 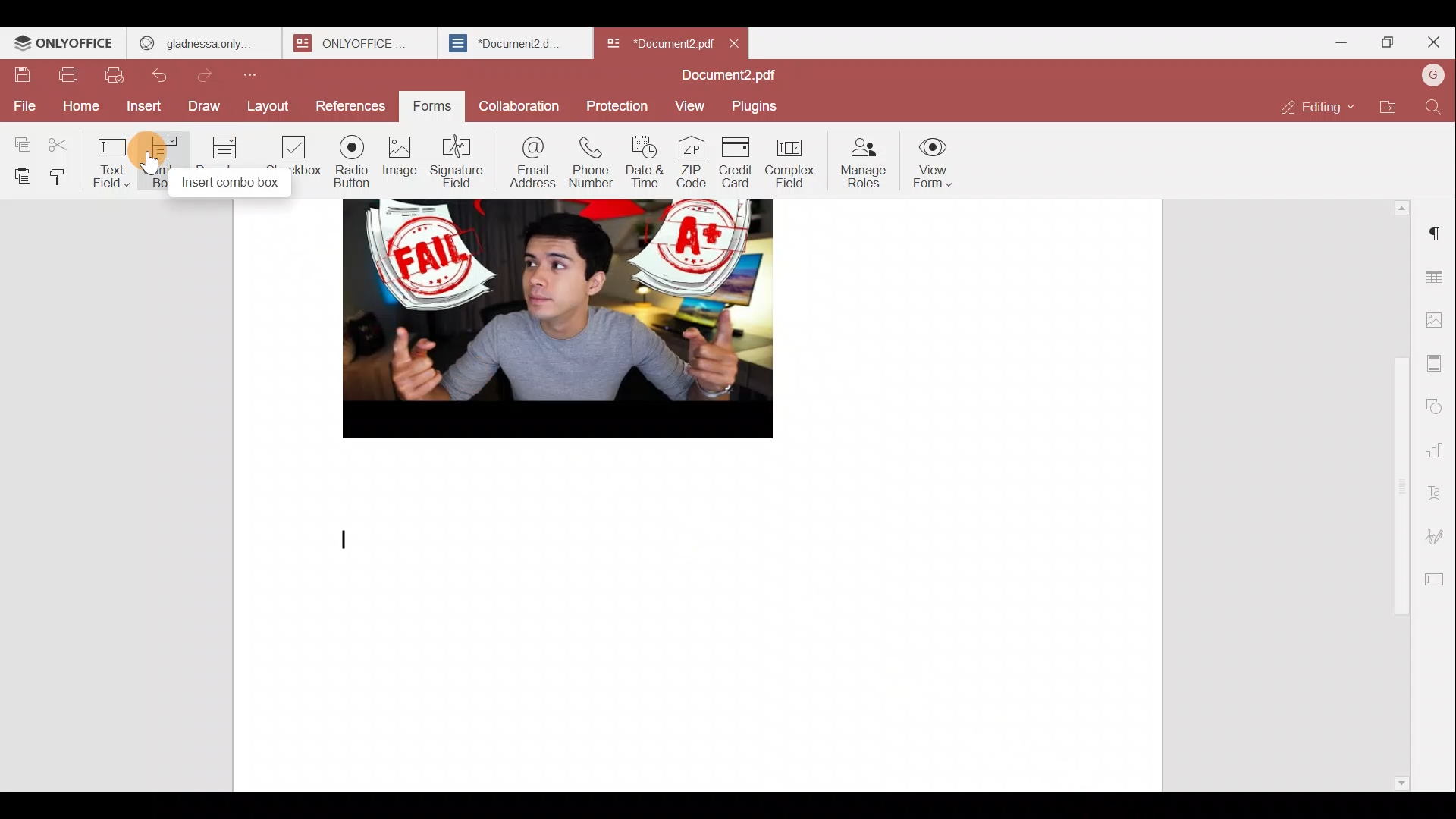 What do you see at coordinates (1436, 364) in the screenshot?
I see `Header & footer settings` at bounding box center [1436, 364].